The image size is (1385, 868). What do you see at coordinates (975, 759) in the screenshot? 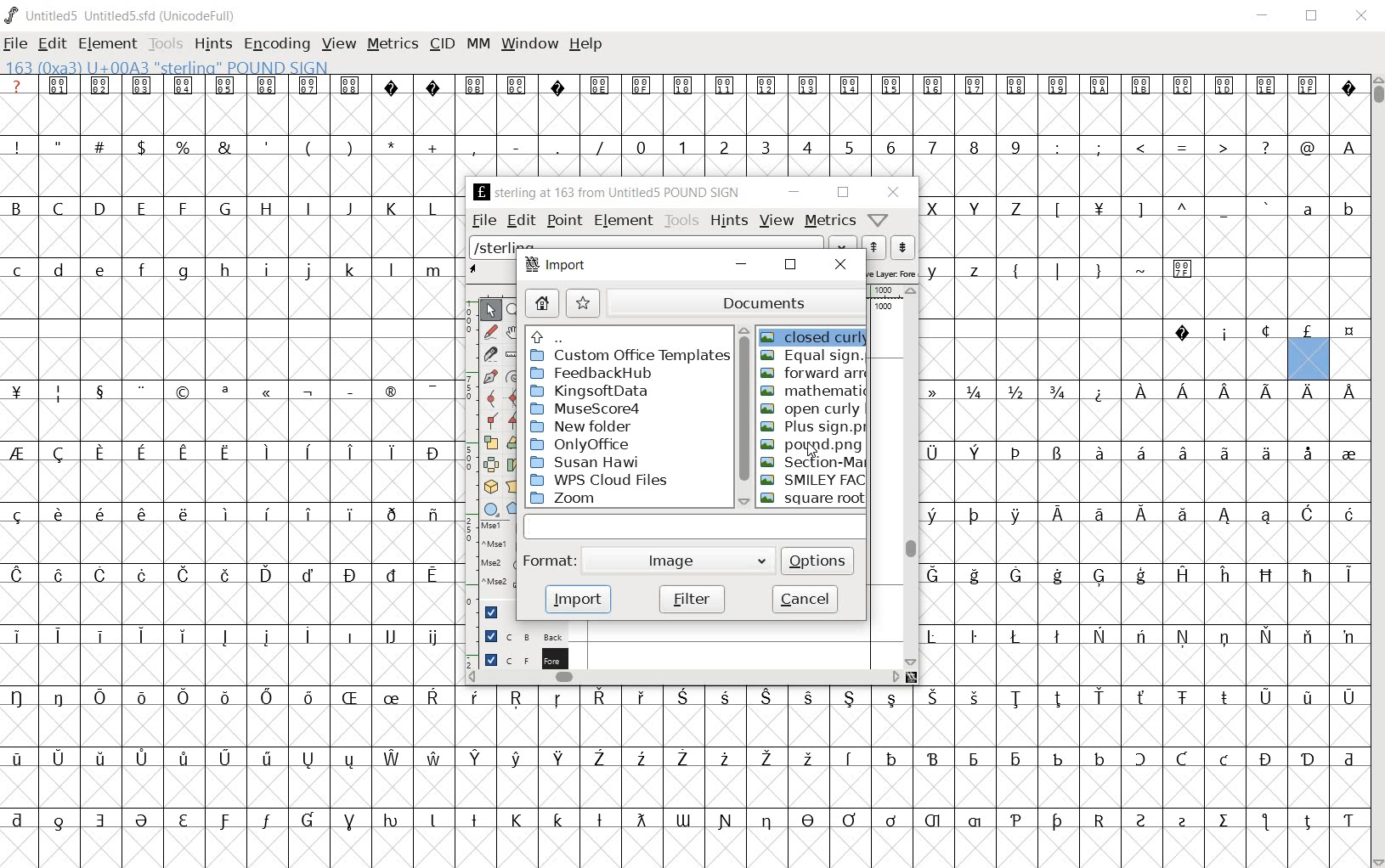
I see `Symbol` at bounding box center [975, 759].